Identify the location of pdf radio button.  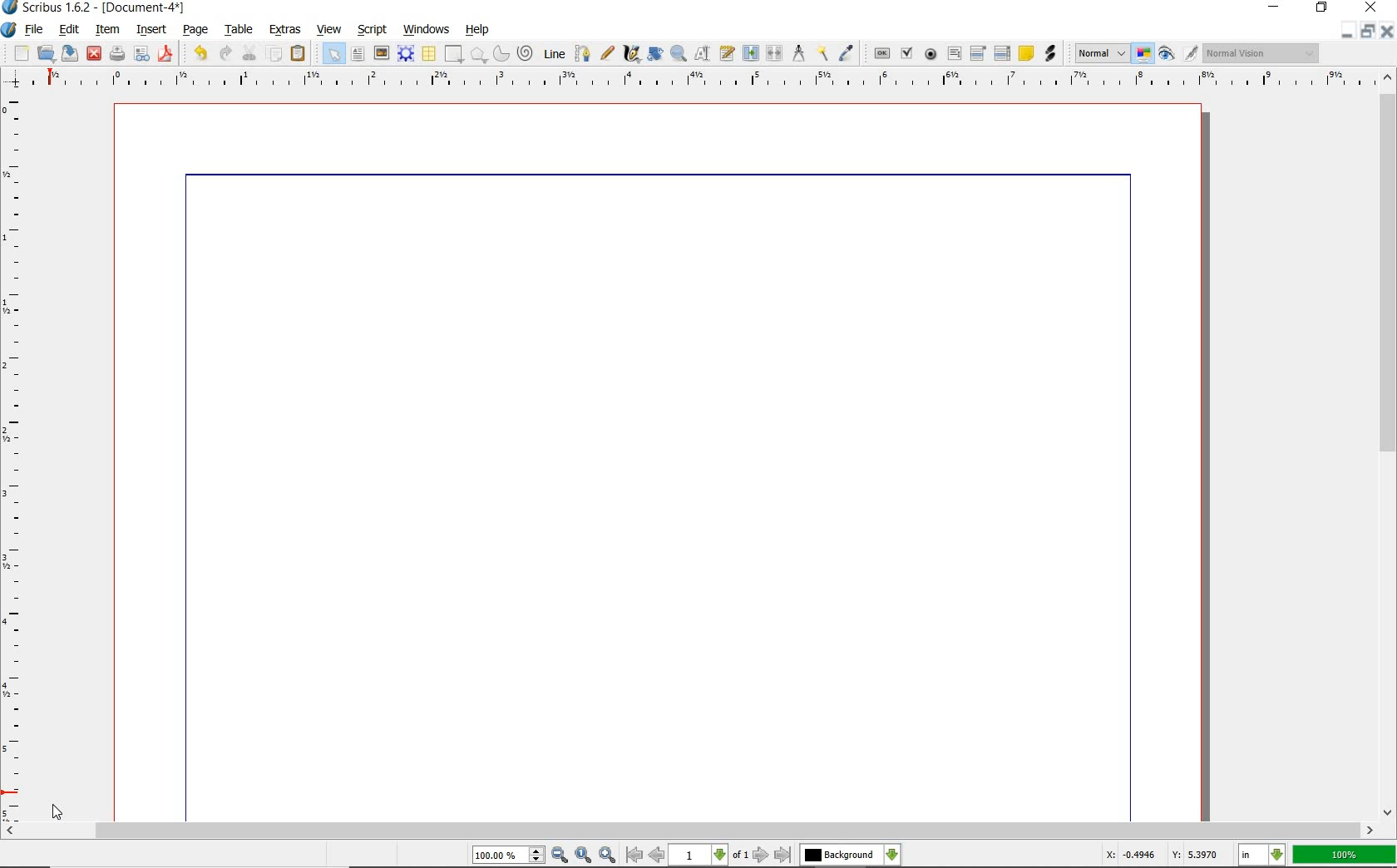
(930, 54).